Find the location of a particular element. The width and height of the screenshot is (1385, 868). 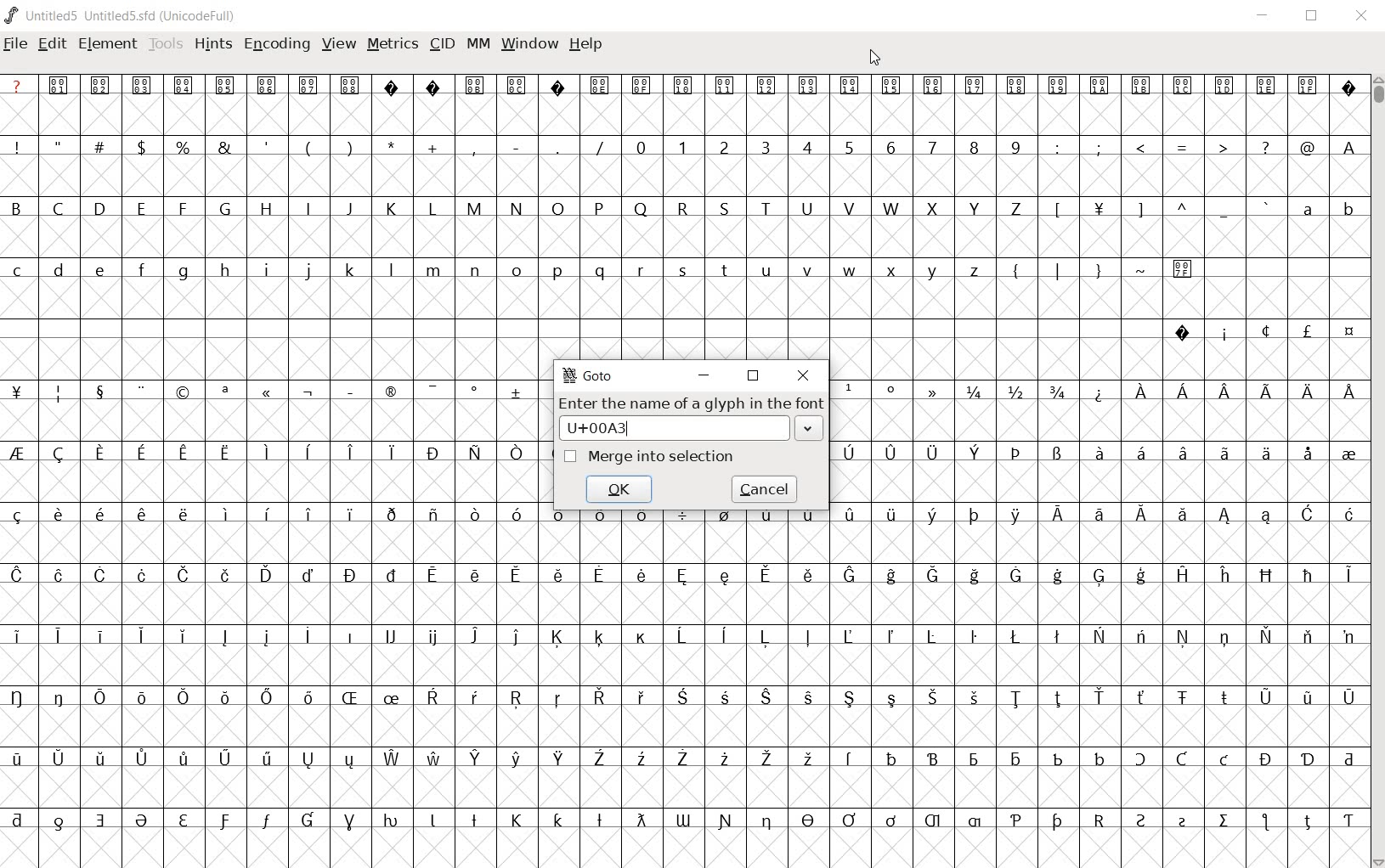

^ is located at coordinates (1181, 210).